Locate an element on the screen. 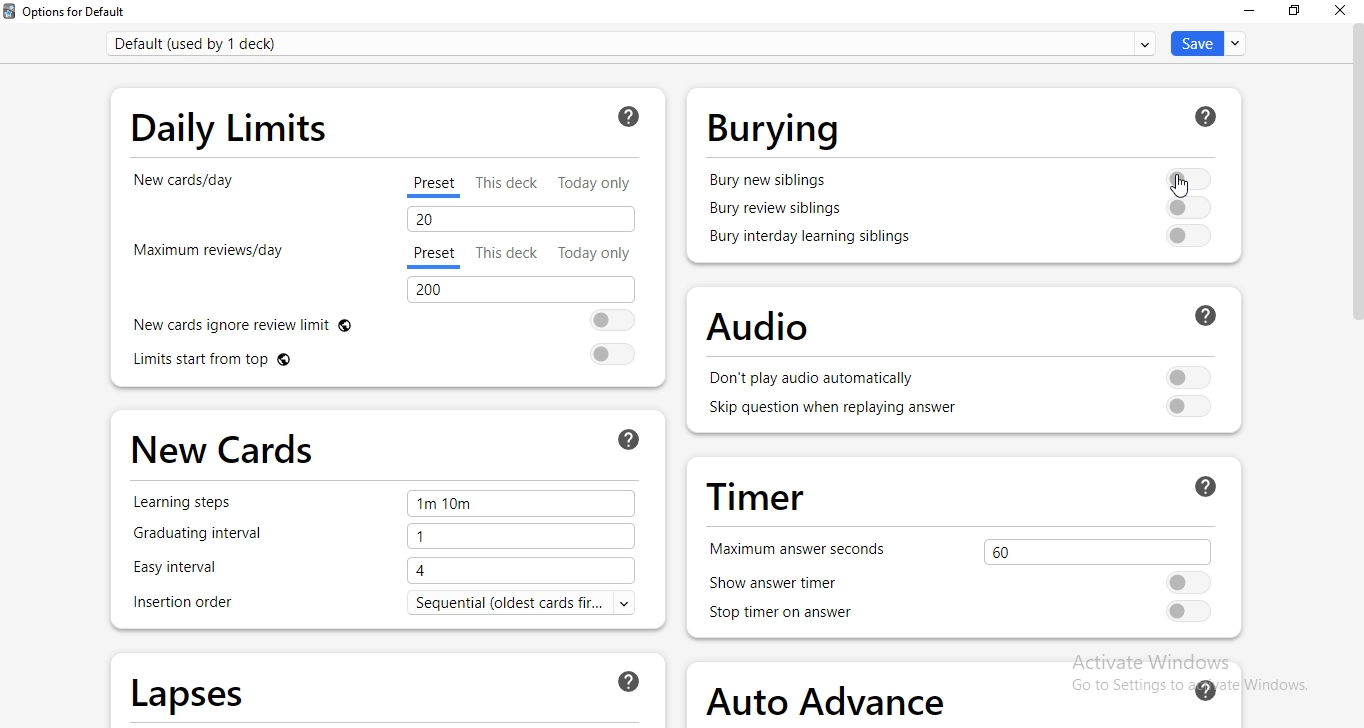 The image size is (1364, 728). stop timer on answer is located at coordinates (794, 614).